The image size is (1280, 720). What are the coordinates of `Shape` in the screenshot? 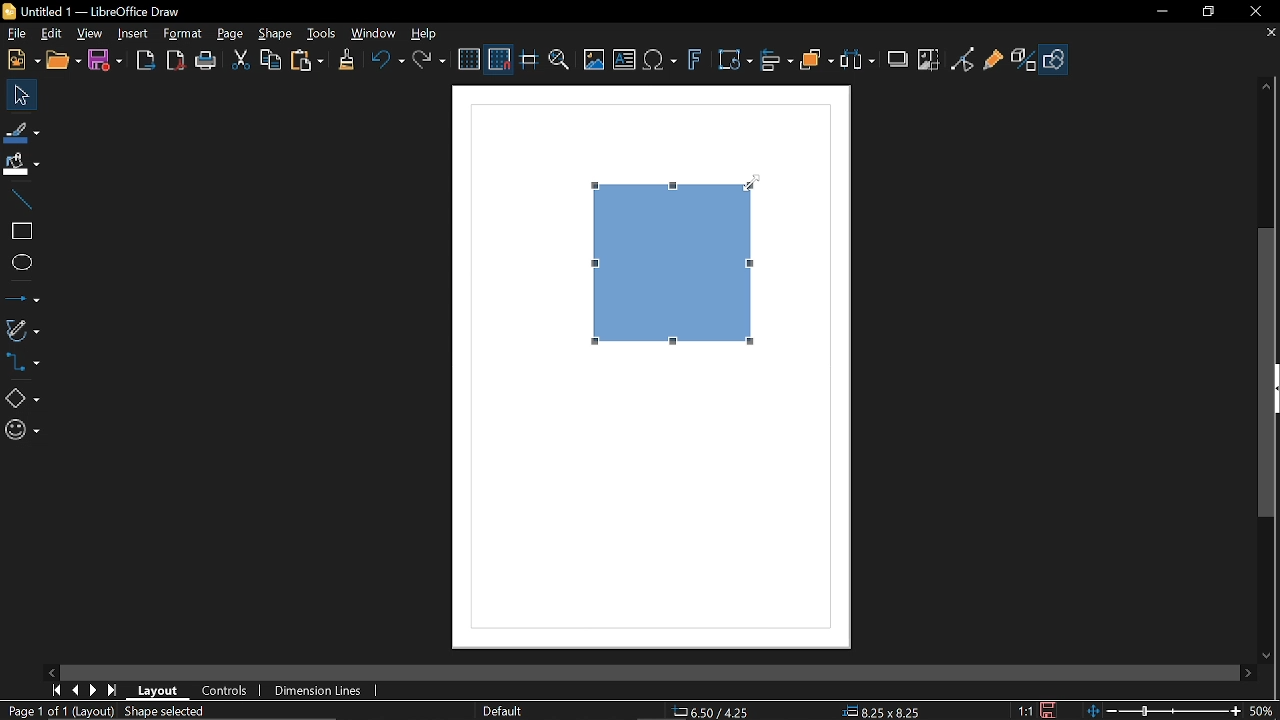 It's located at (274, 36).